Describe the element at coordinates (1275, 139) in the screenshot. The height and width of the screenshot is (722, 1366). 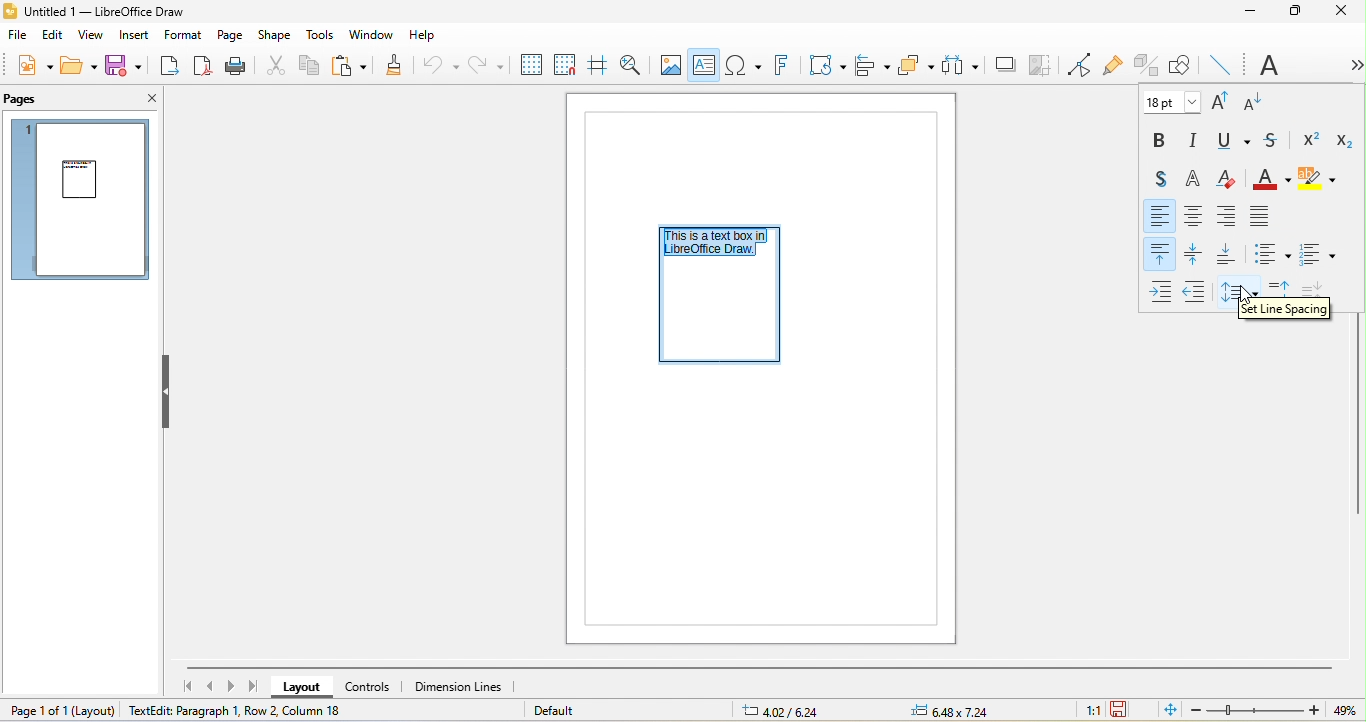
I see `strikethrough` at that location.